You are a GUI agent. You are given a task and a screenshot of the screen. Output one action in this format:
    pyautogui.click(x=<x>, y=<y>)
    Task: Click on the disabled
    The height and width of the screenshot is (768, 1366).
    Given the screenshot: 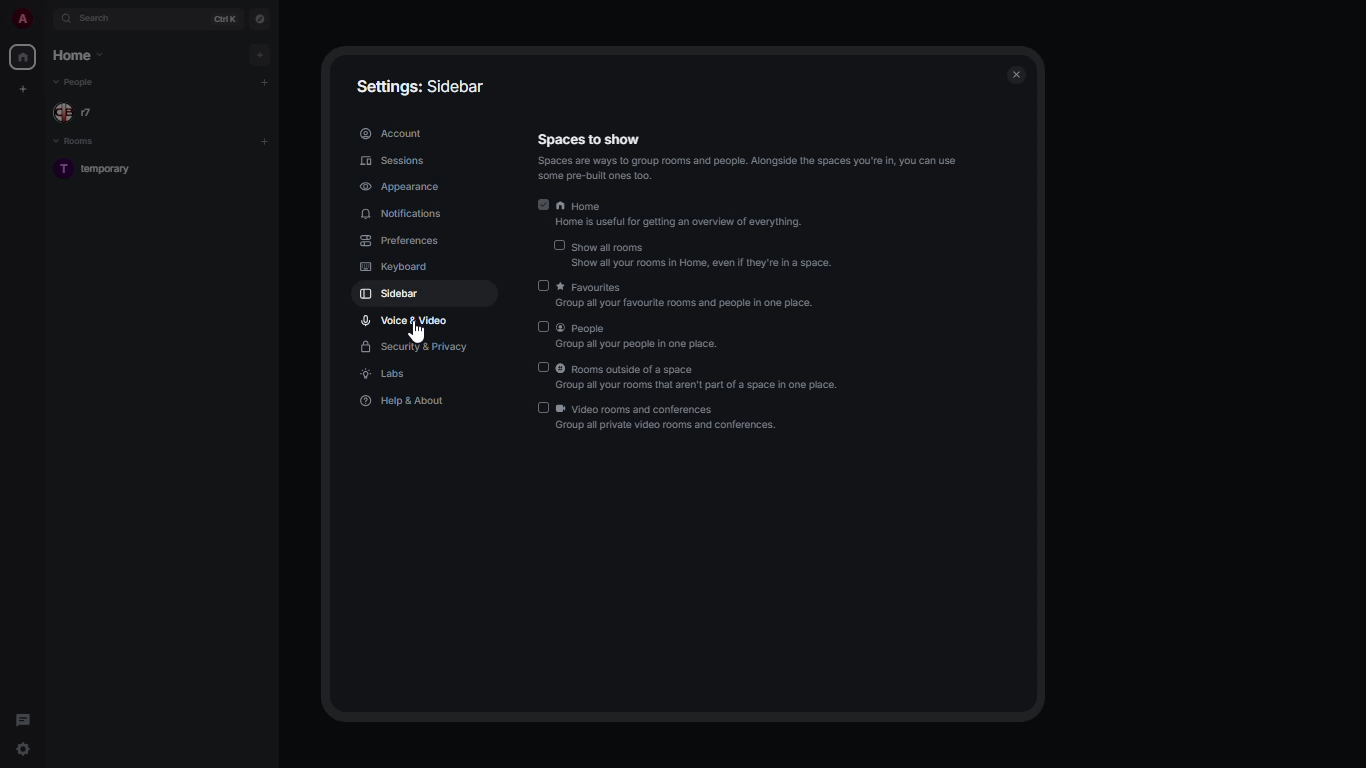 What is the action you would take?
    pyautogui.click(x=539, y=286)
    